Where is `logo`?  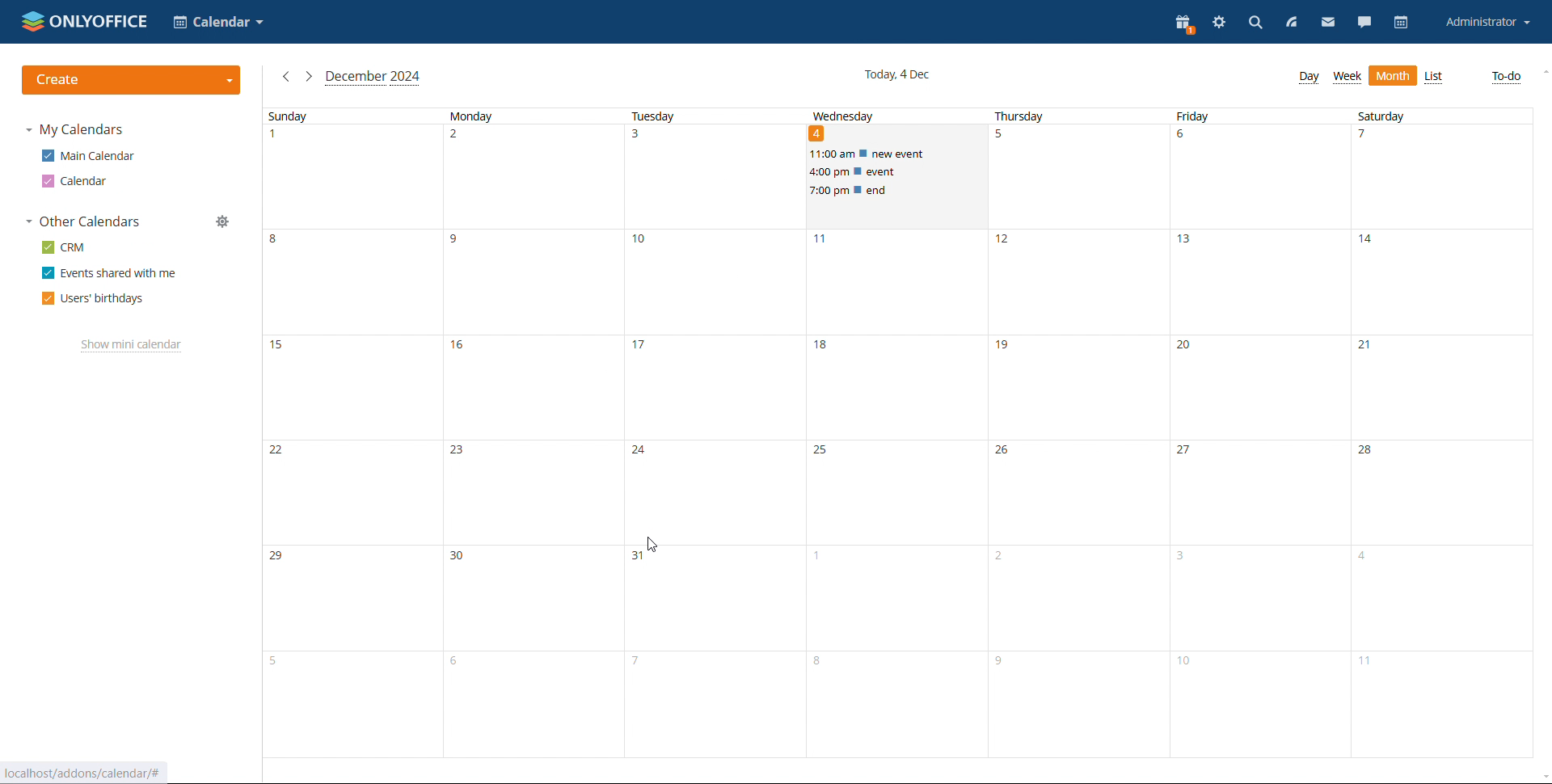
logo is located at coordinates (82, 22).